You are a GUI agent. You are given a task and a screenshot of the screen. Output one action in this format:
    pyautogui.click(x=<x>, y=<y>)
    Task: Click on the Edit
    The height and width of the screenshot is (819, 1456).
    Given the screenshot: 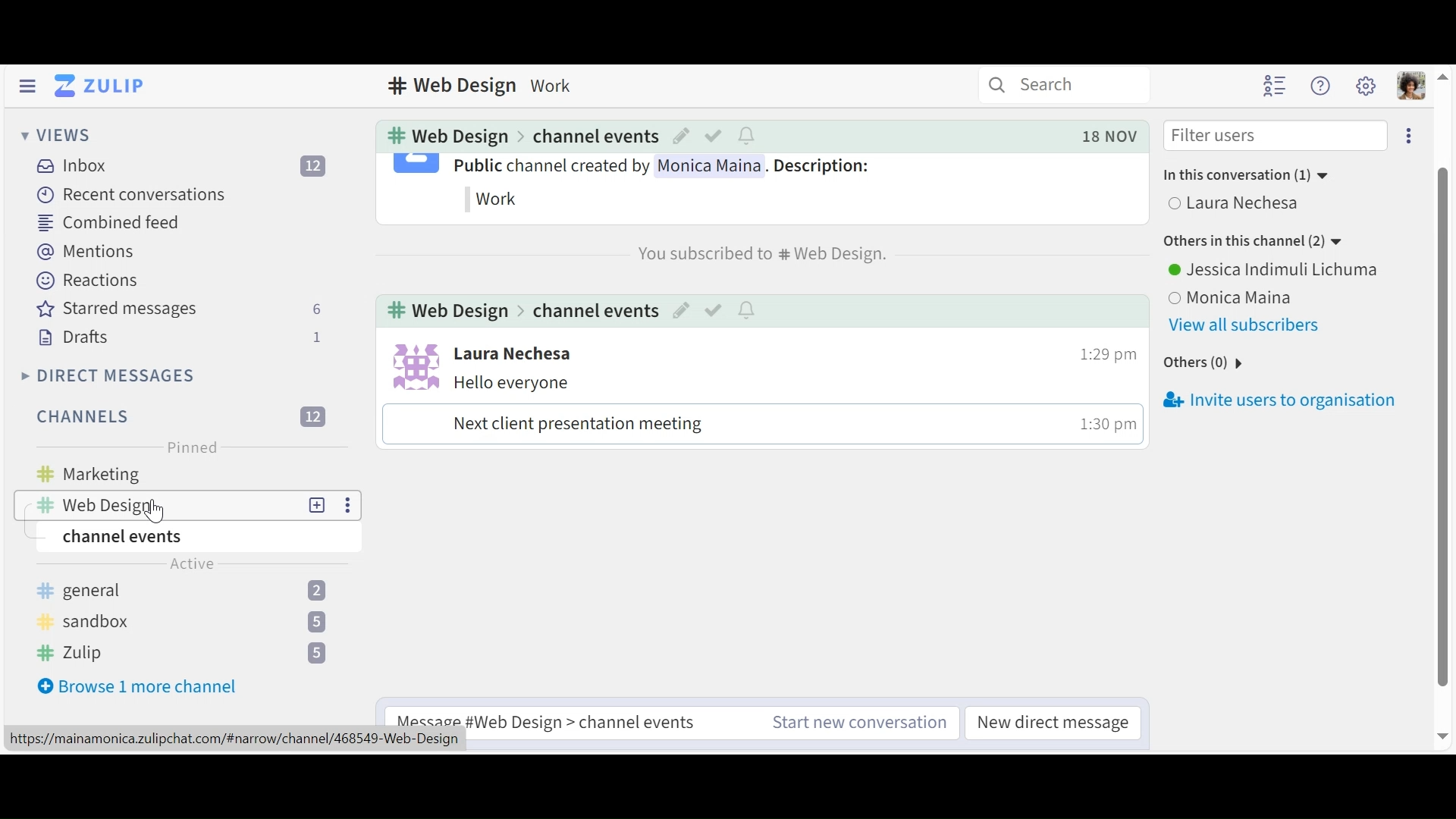 What is the action you would take?
    pyautogui.click(x=680, y=309)
    